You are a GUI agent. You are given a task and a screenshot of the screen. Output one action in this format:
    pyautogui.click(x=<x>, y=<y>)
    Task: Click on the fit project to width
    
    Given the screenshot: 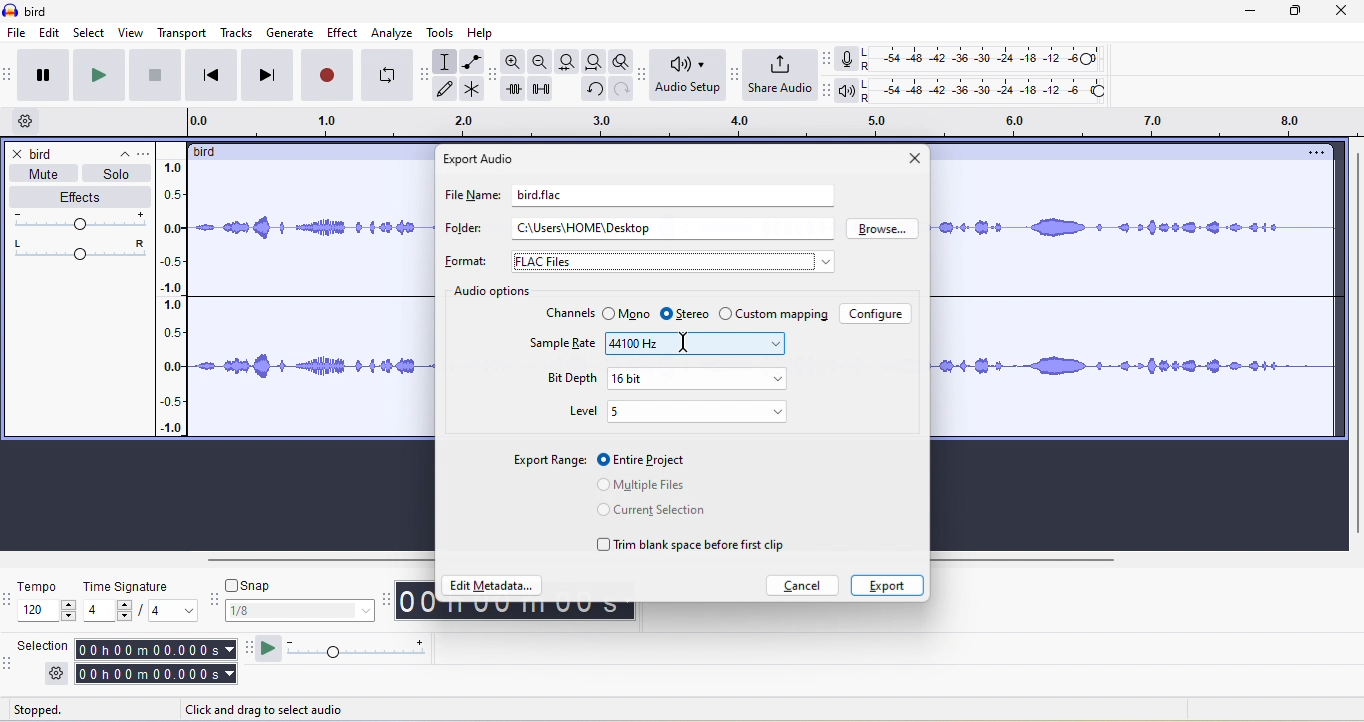 What is the action you would take?
    pyautogui.click(x=592, y=64)
    